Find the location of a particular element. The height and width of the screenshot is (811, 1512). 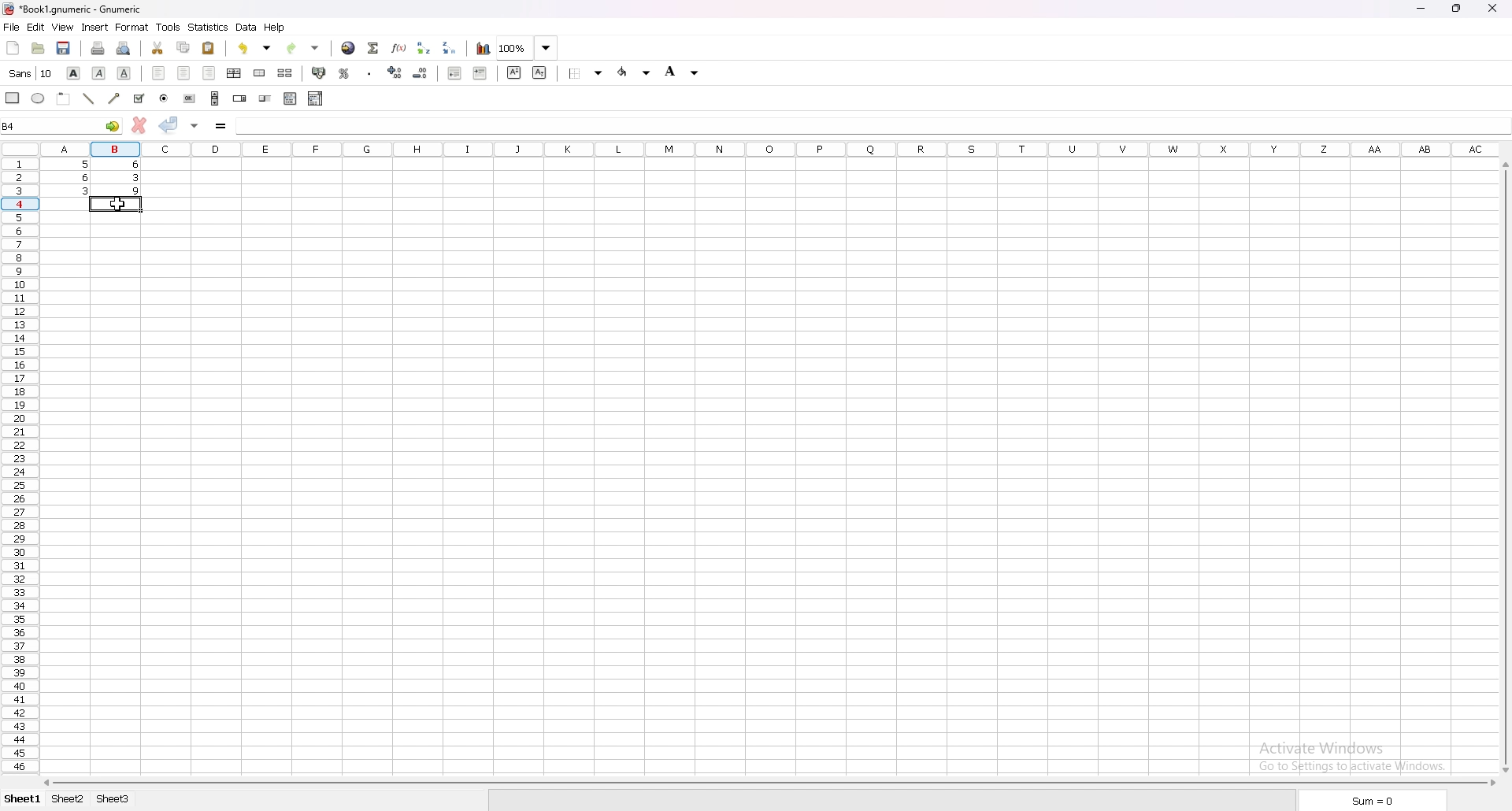

checkbox is located at coordinates (138, 98).